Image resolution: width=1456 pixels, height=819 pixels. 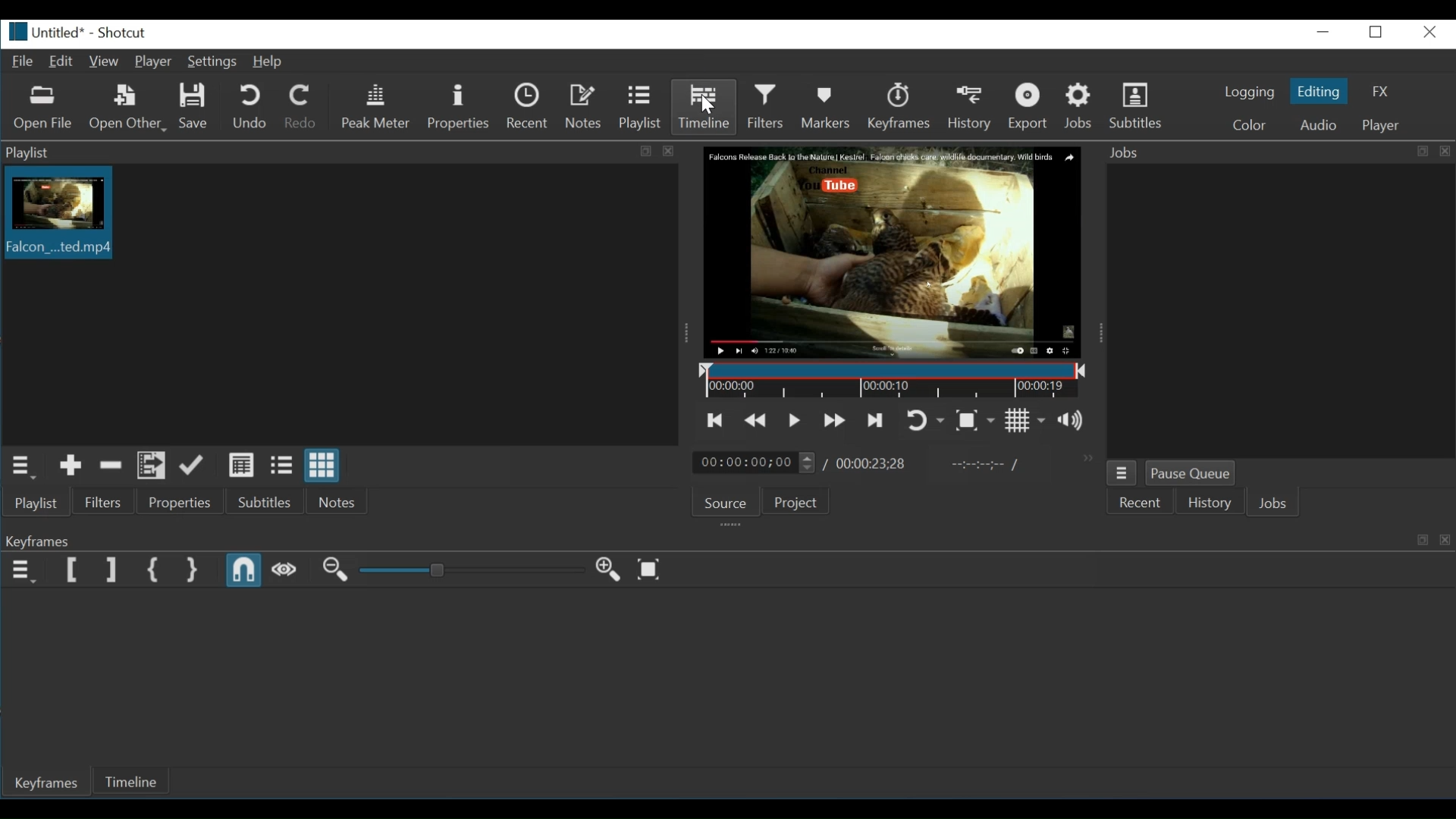 I want to click on Remove cut, so click(x=111, y=466).